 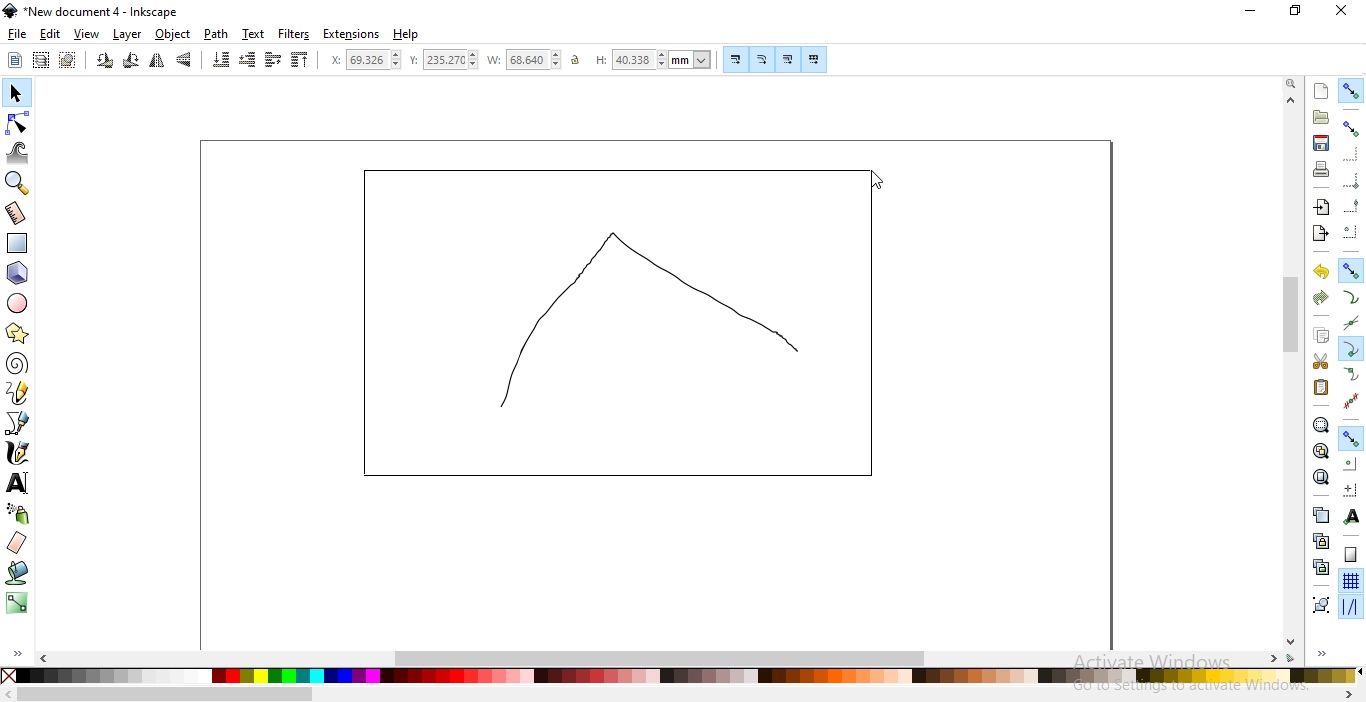 I want to click on snap midpointsof bounding boxes edges, so click(x=1351, y=206).